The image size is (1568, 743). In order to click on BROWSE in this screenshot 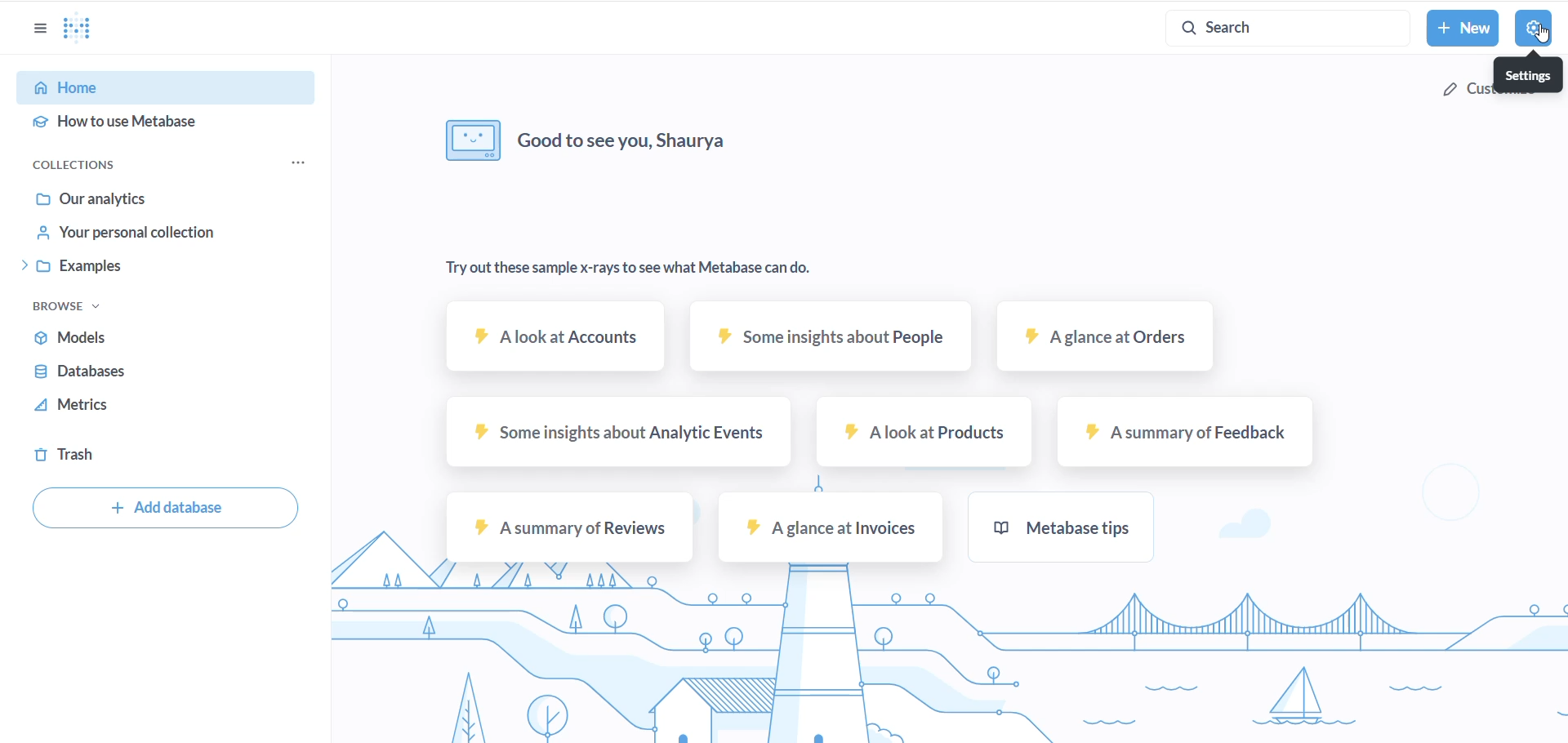, I will do `click(69, 306)`.